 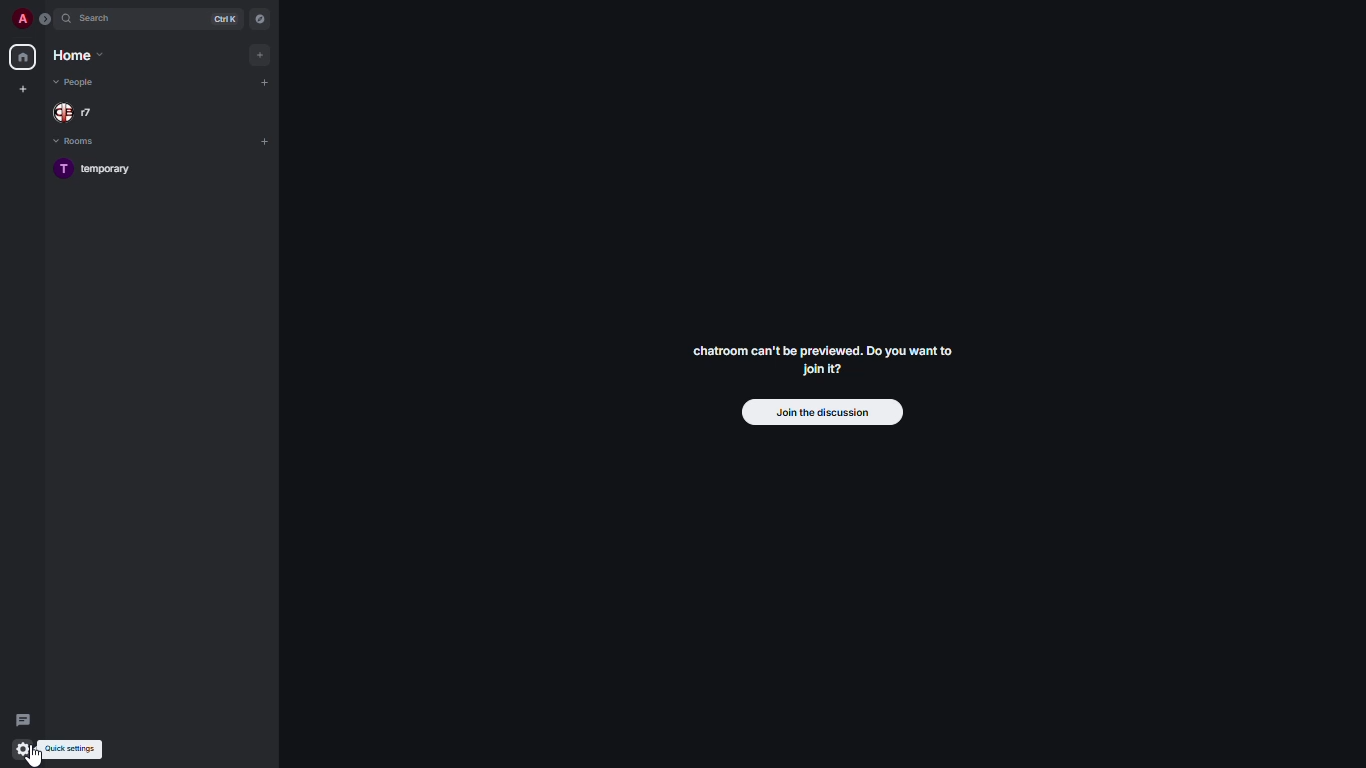 I want to click on join the discussion, so click(x=824, y=413).